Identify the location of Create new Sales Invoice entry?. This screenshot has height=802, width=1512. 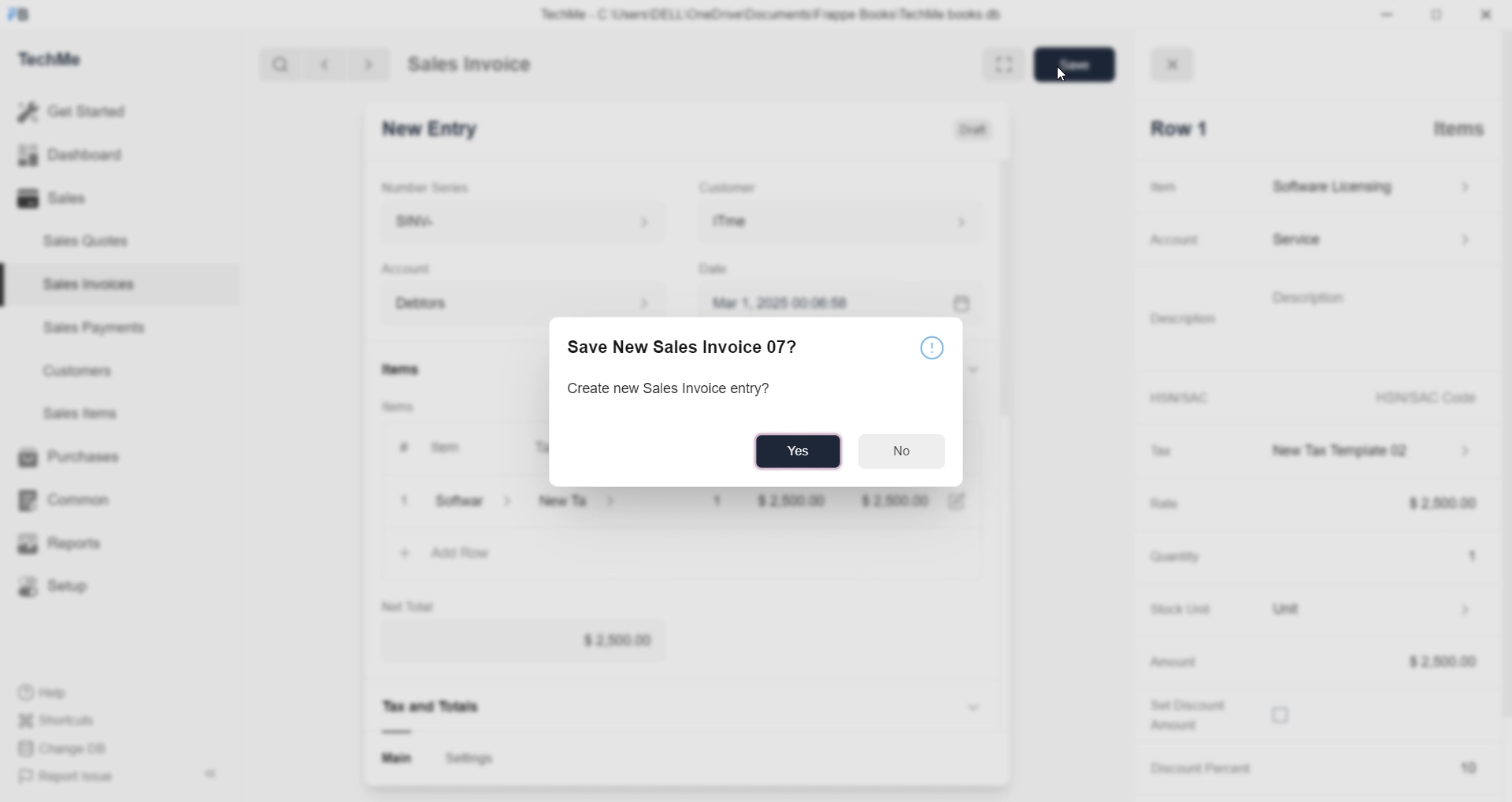
(671, 391).